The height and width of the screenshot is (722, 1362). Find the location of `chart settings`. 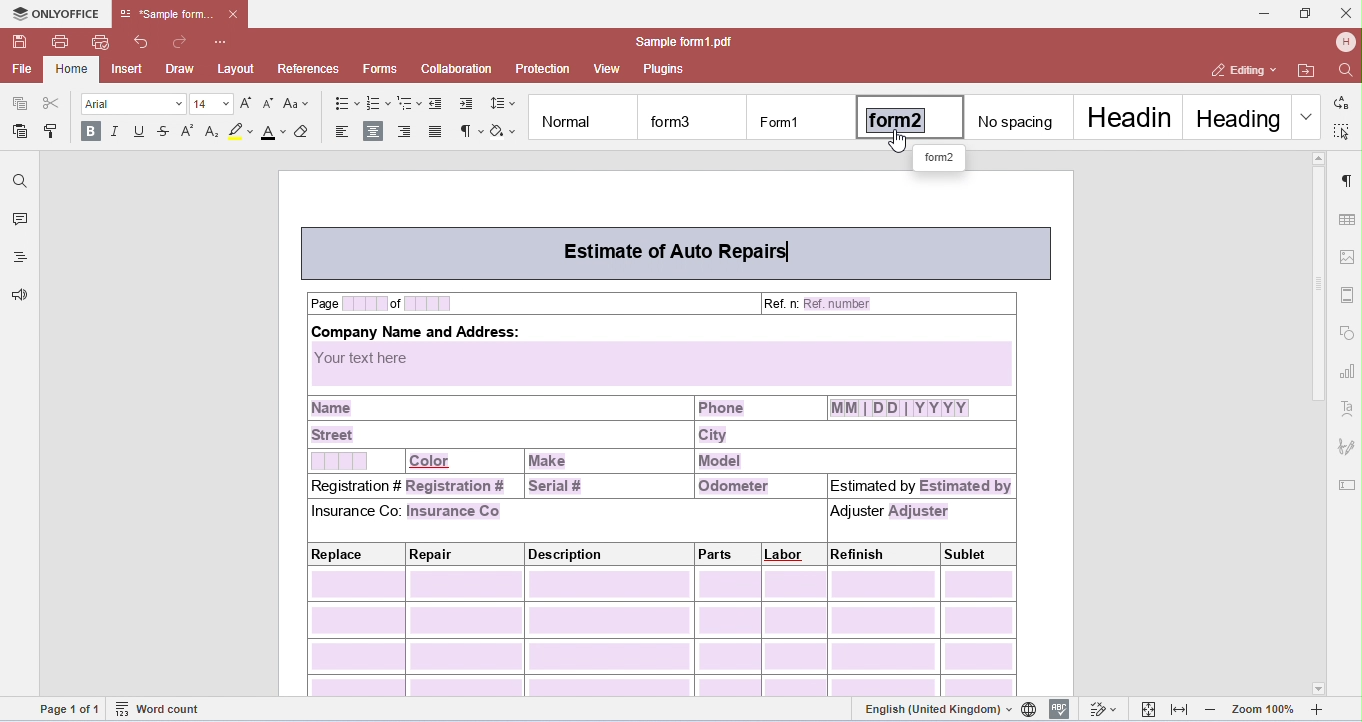

chart settings is located at coordinates (1347, 369).